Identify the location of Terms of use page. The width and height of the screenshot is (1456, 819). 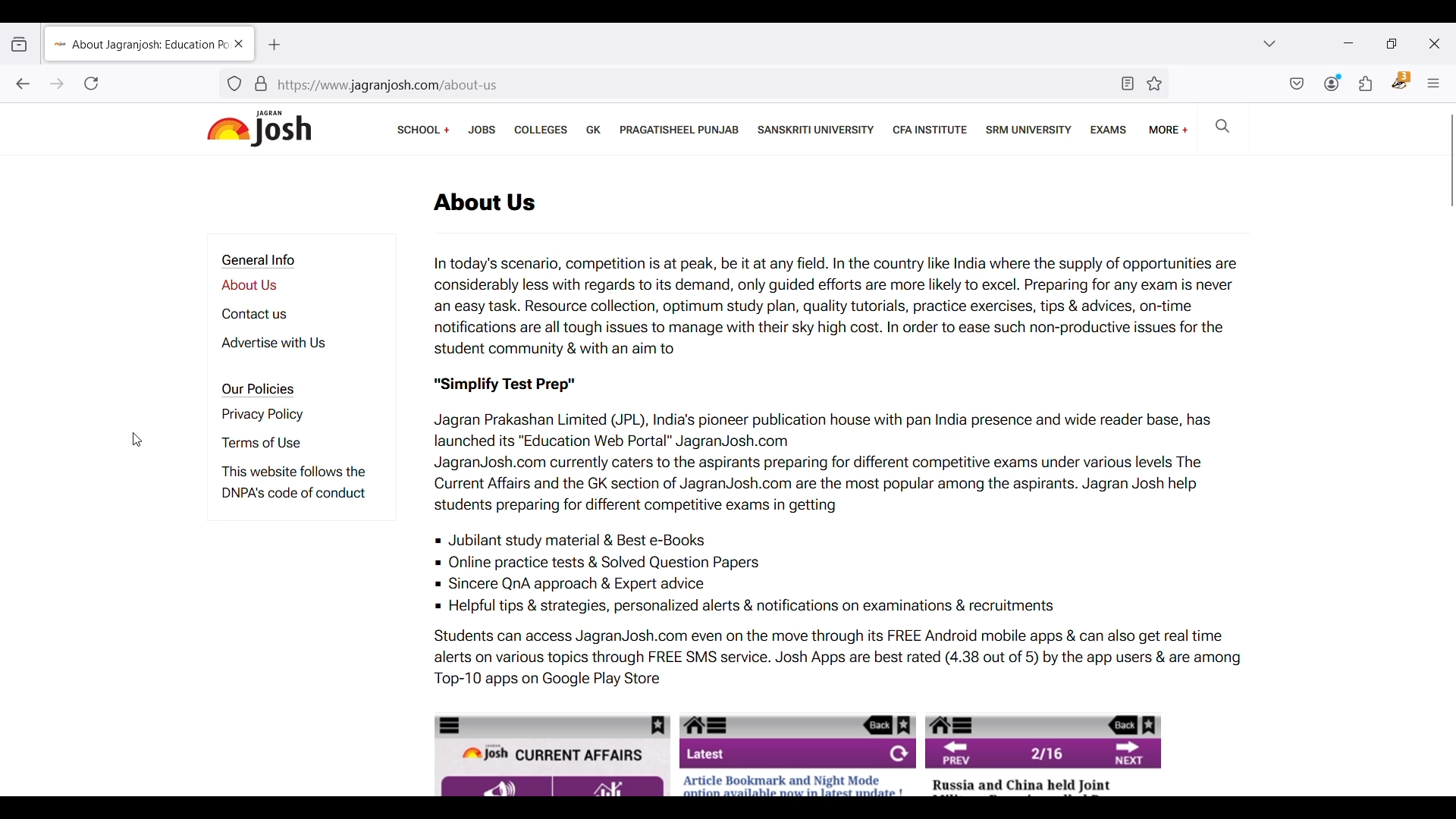
(284, 445).